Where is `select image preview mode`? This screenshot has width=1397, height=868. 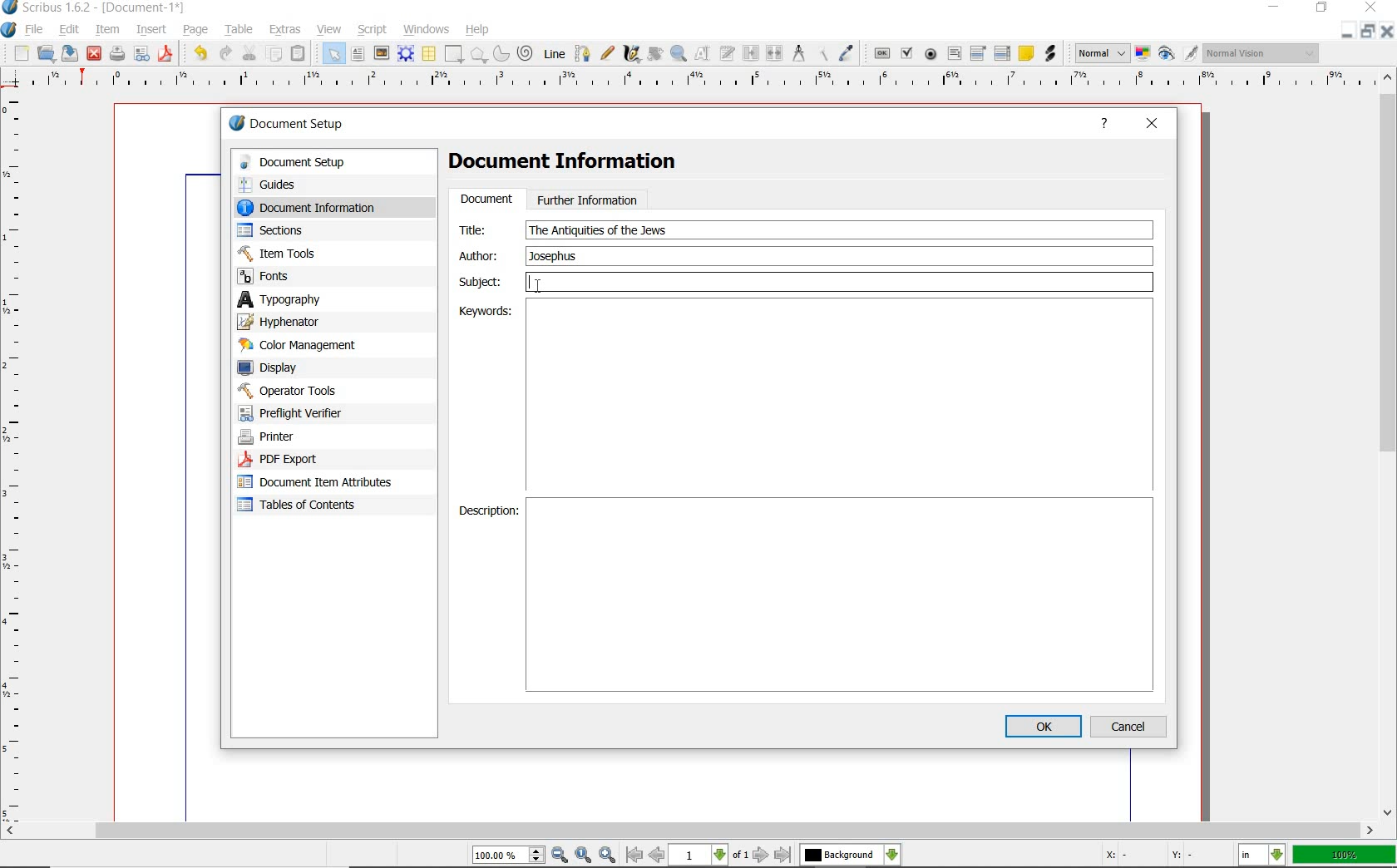 select image preview mode is located at coordinates (1102, 54).